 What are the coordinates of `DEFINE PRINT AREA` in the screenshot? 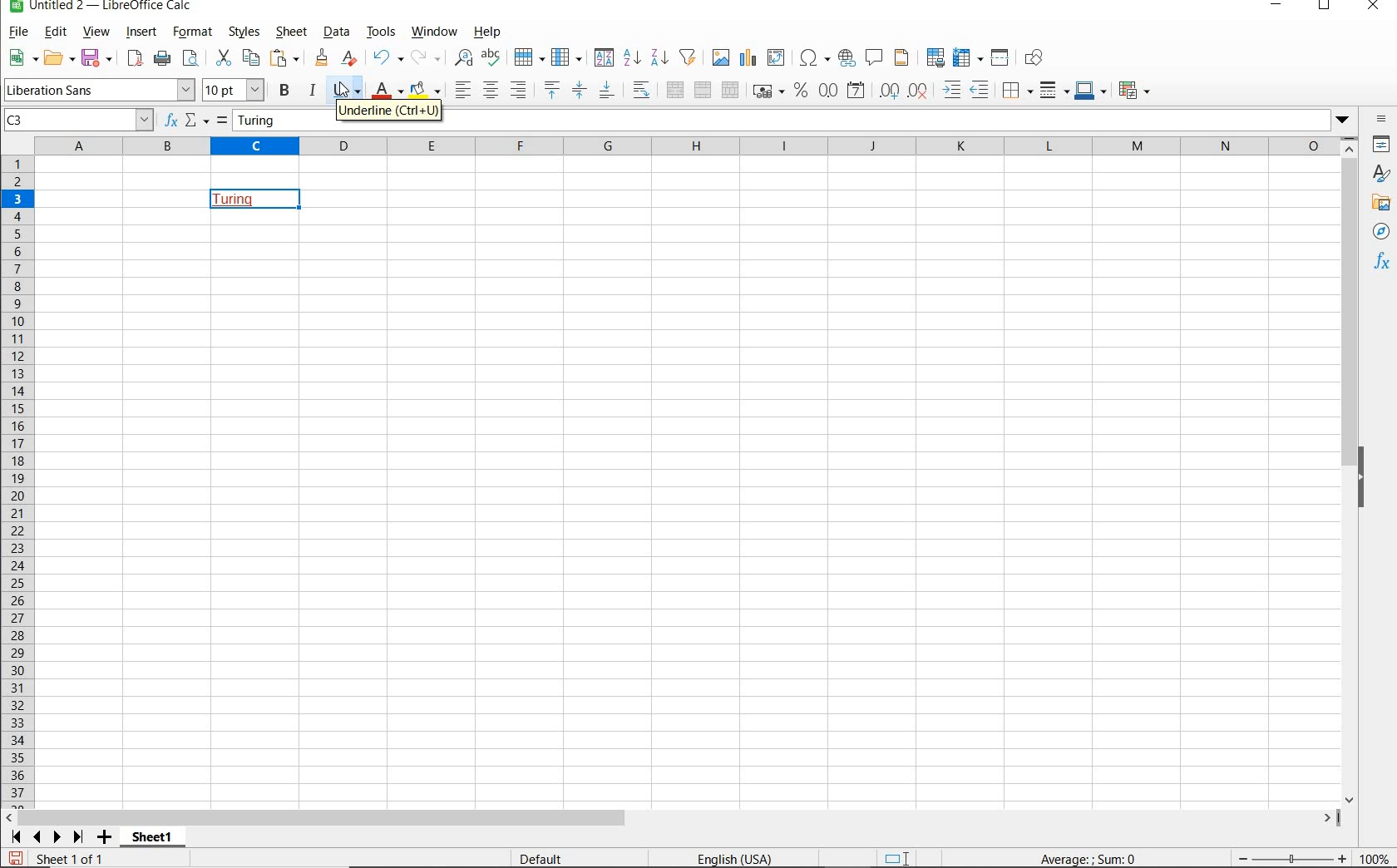 It's located at (935, 57).